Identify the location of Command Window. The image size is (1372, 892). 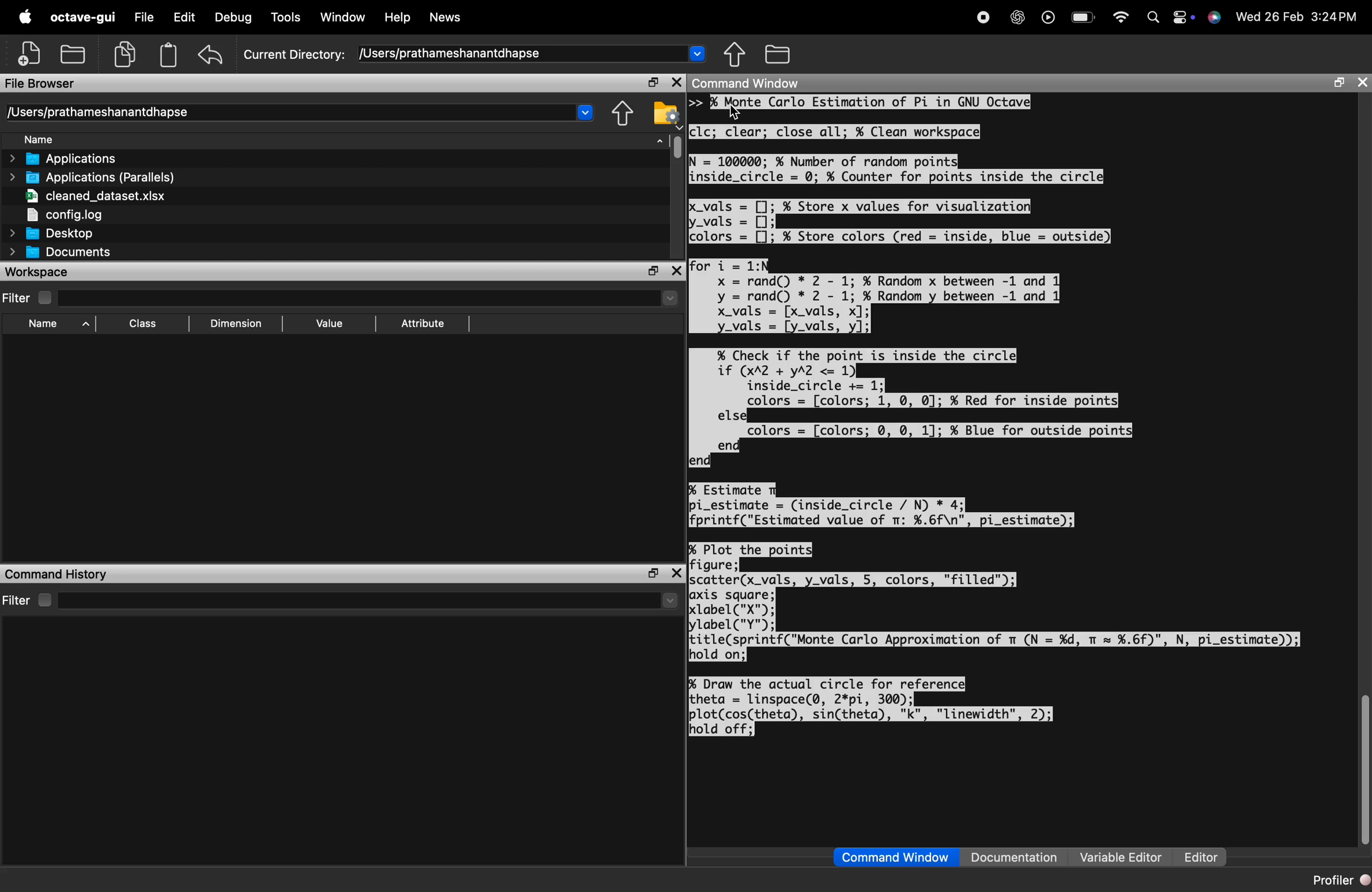
(896, 857).